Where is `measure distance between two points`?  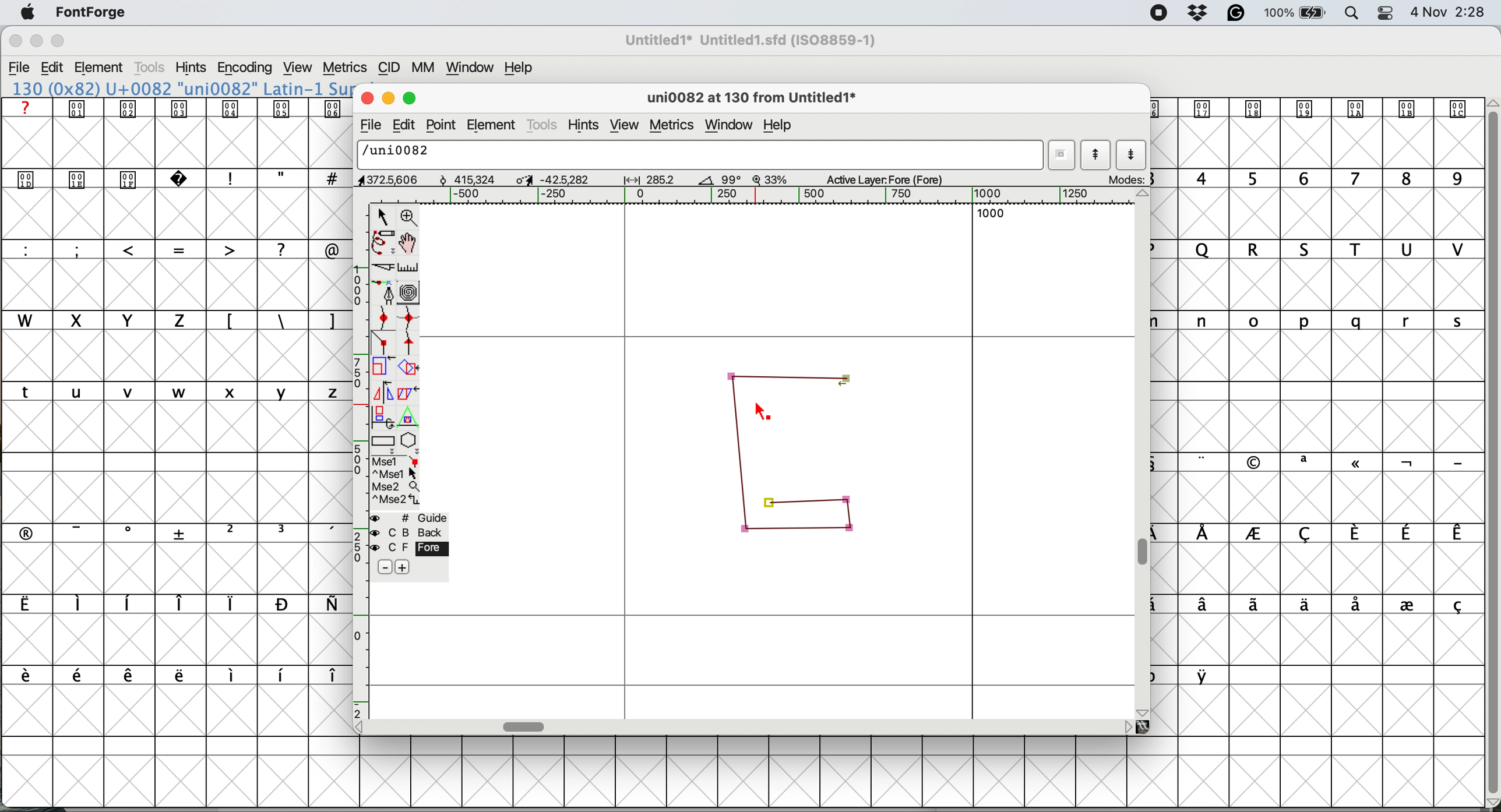
measure distance between two points is located at coordinates (409, 270).